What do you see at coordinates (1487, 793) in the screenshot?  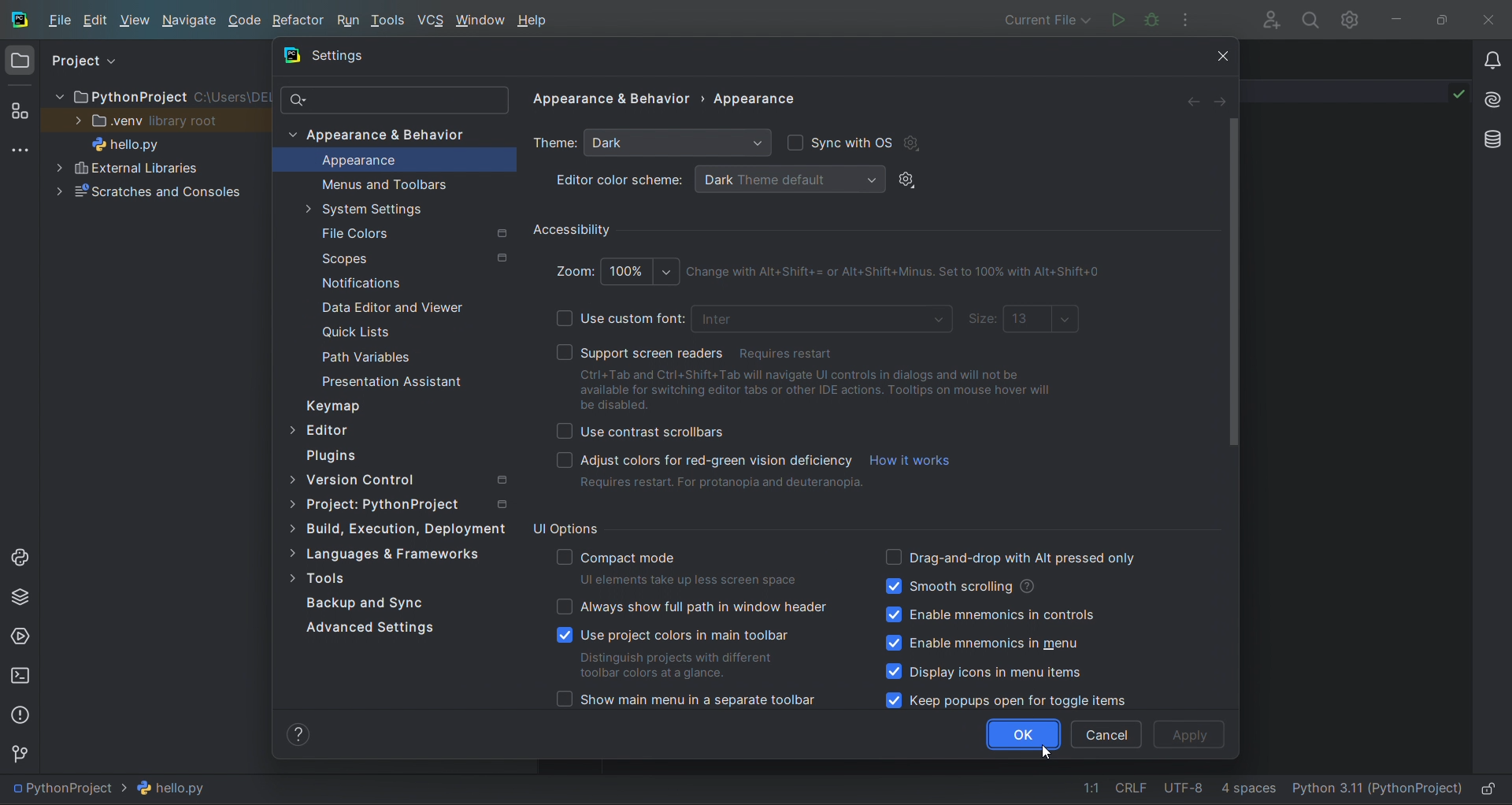 I see `lock` at bounding box center [1487, 793].